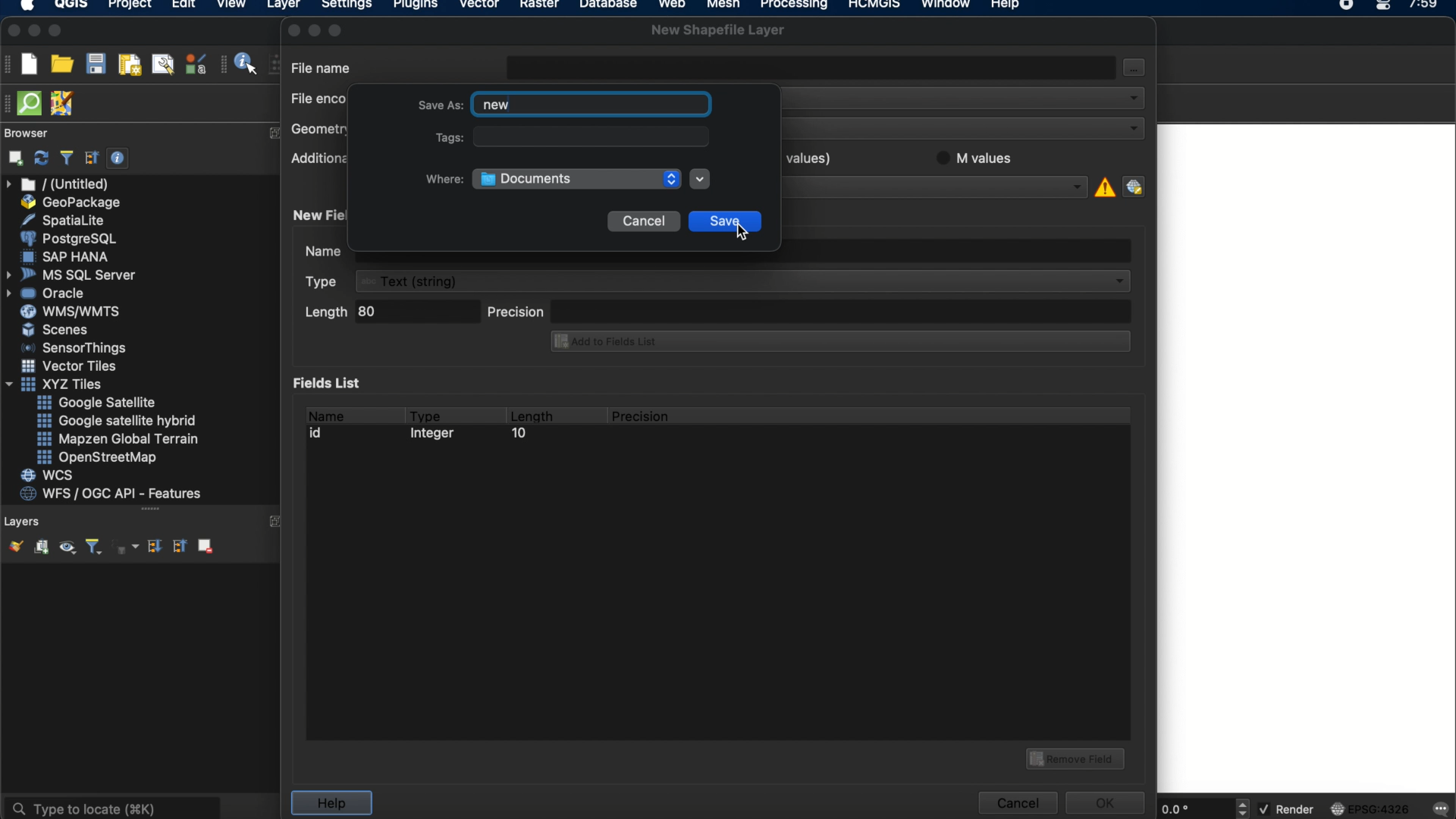 This screenshot has height=819, width=1456. What do you see at coordinates (607, 6) in the screenshot?
I see `database` at bounding box center [607, 6].